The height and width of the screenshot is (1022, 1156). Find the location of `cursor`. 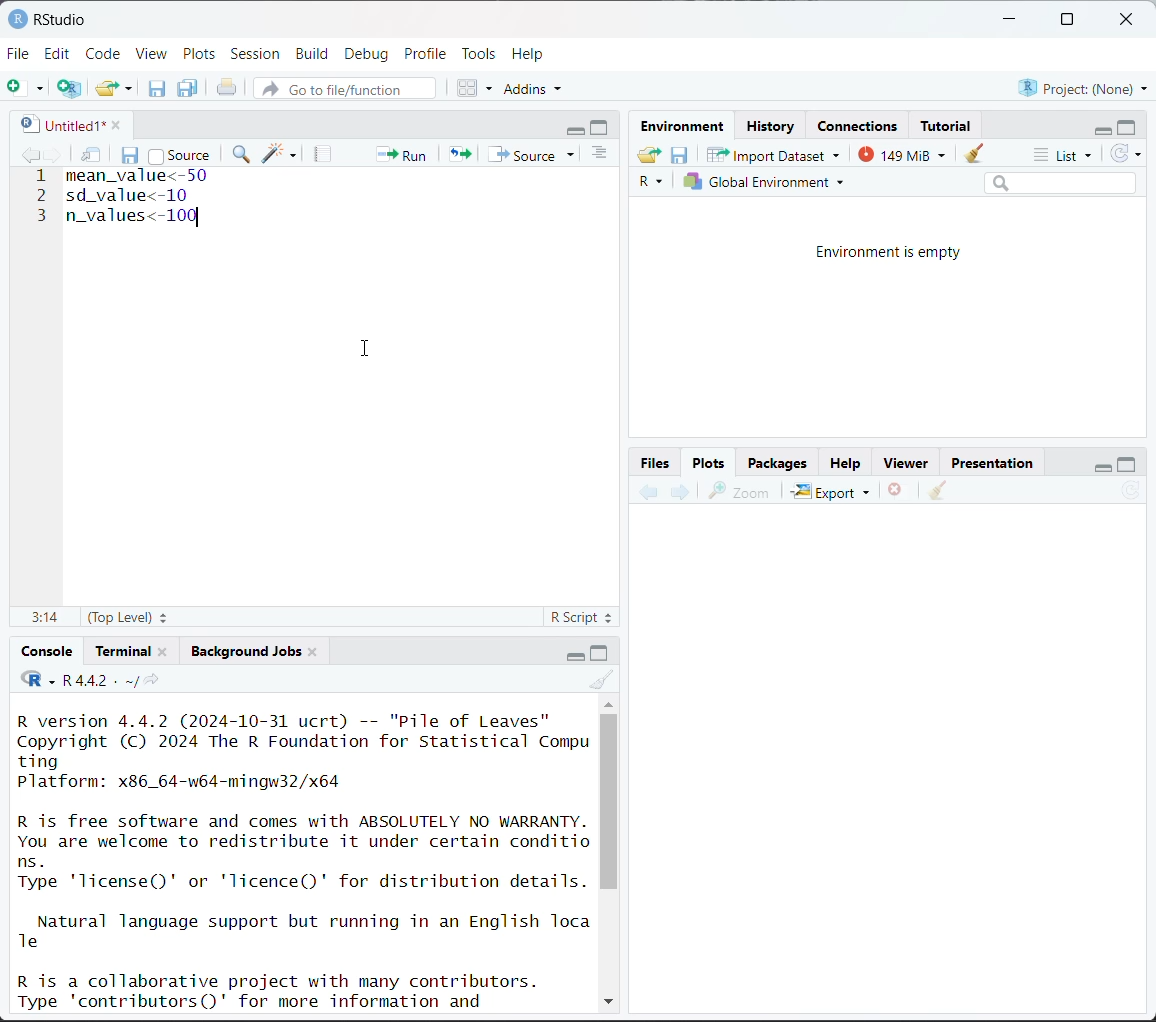

cursor is located at coordinates (369, 349).